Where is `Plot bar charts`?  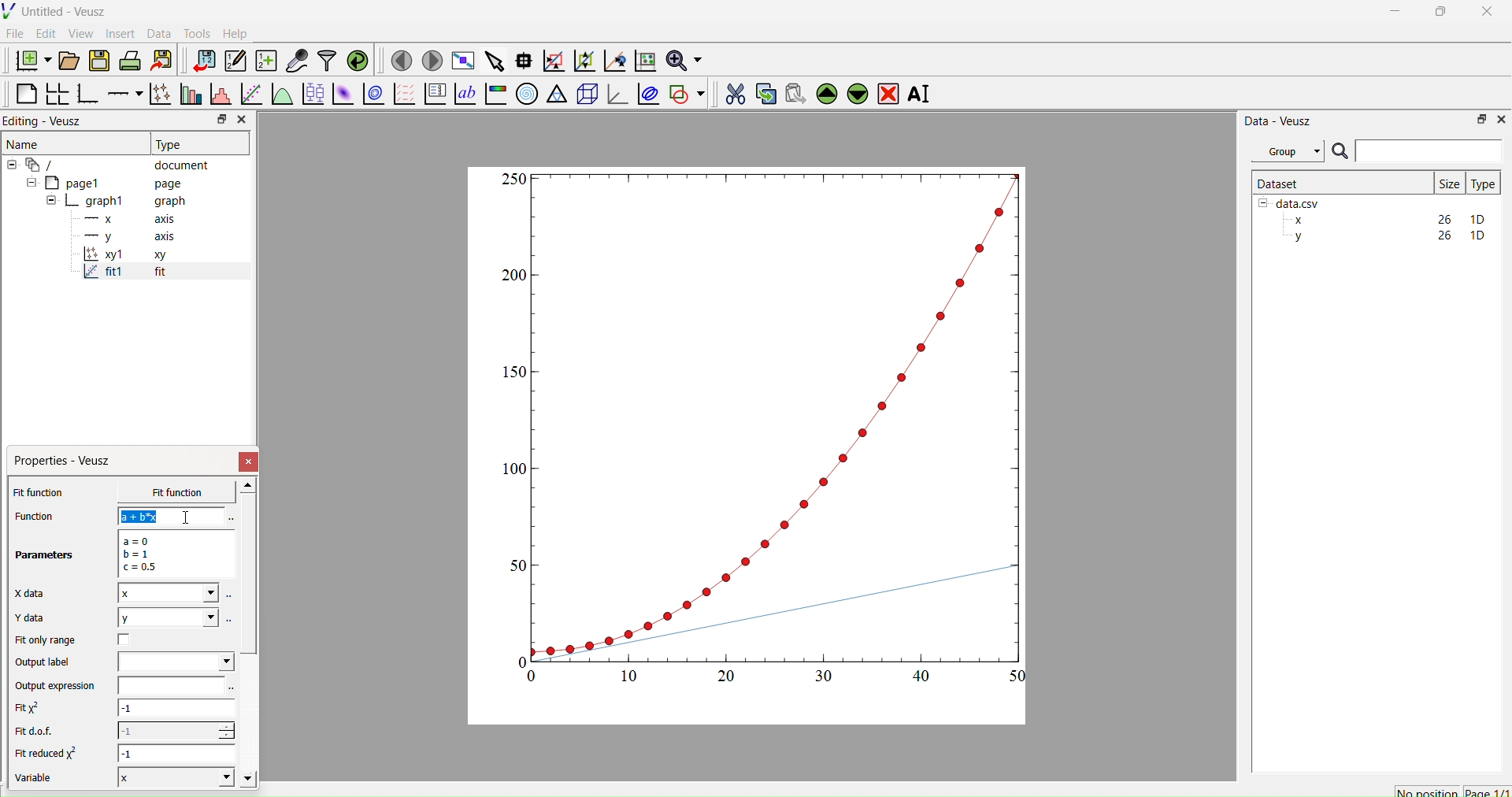
Plot bar charts is located at coordinates (189, 95).